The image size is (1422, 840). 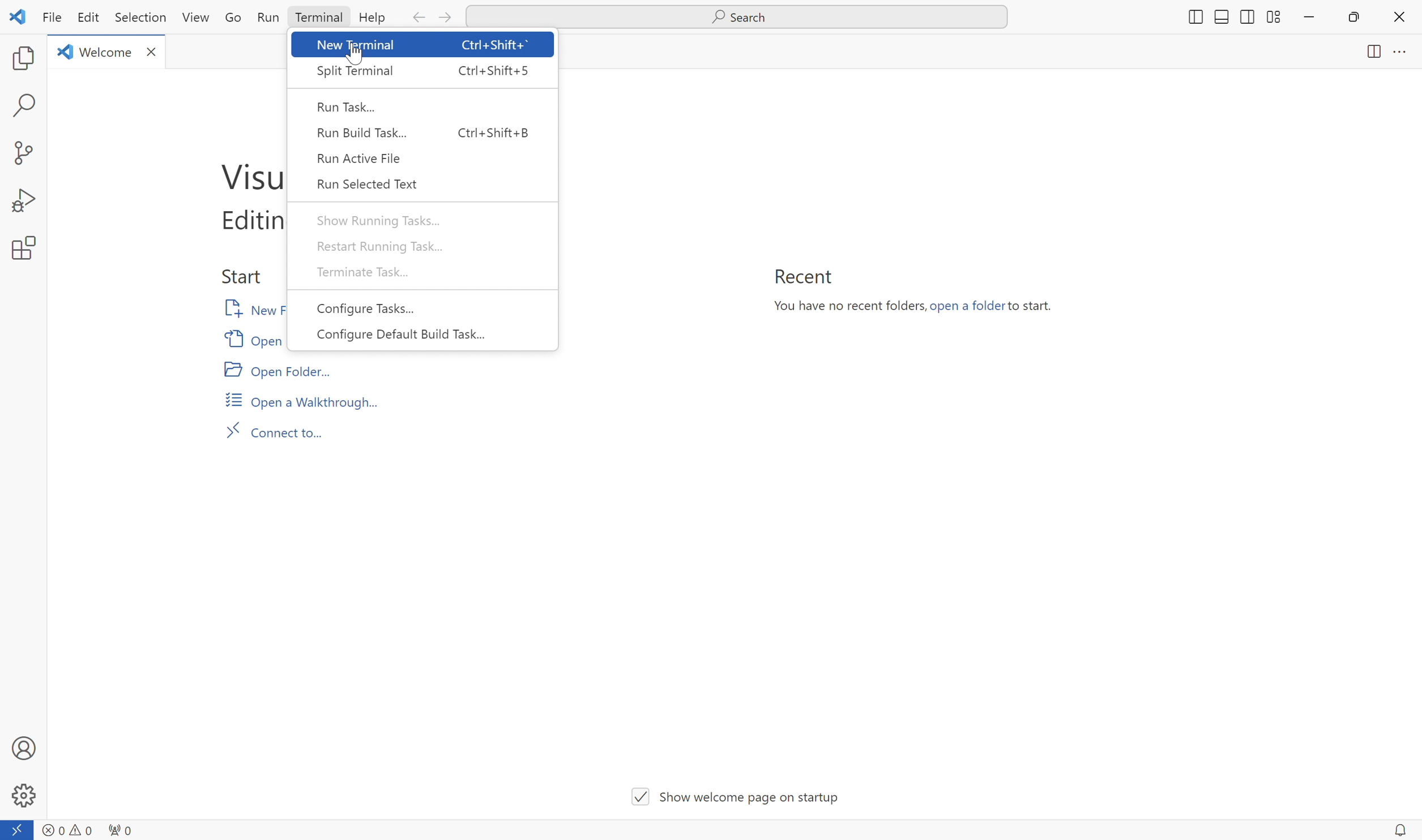 I want to click on source control, so click(x=22, y=152).